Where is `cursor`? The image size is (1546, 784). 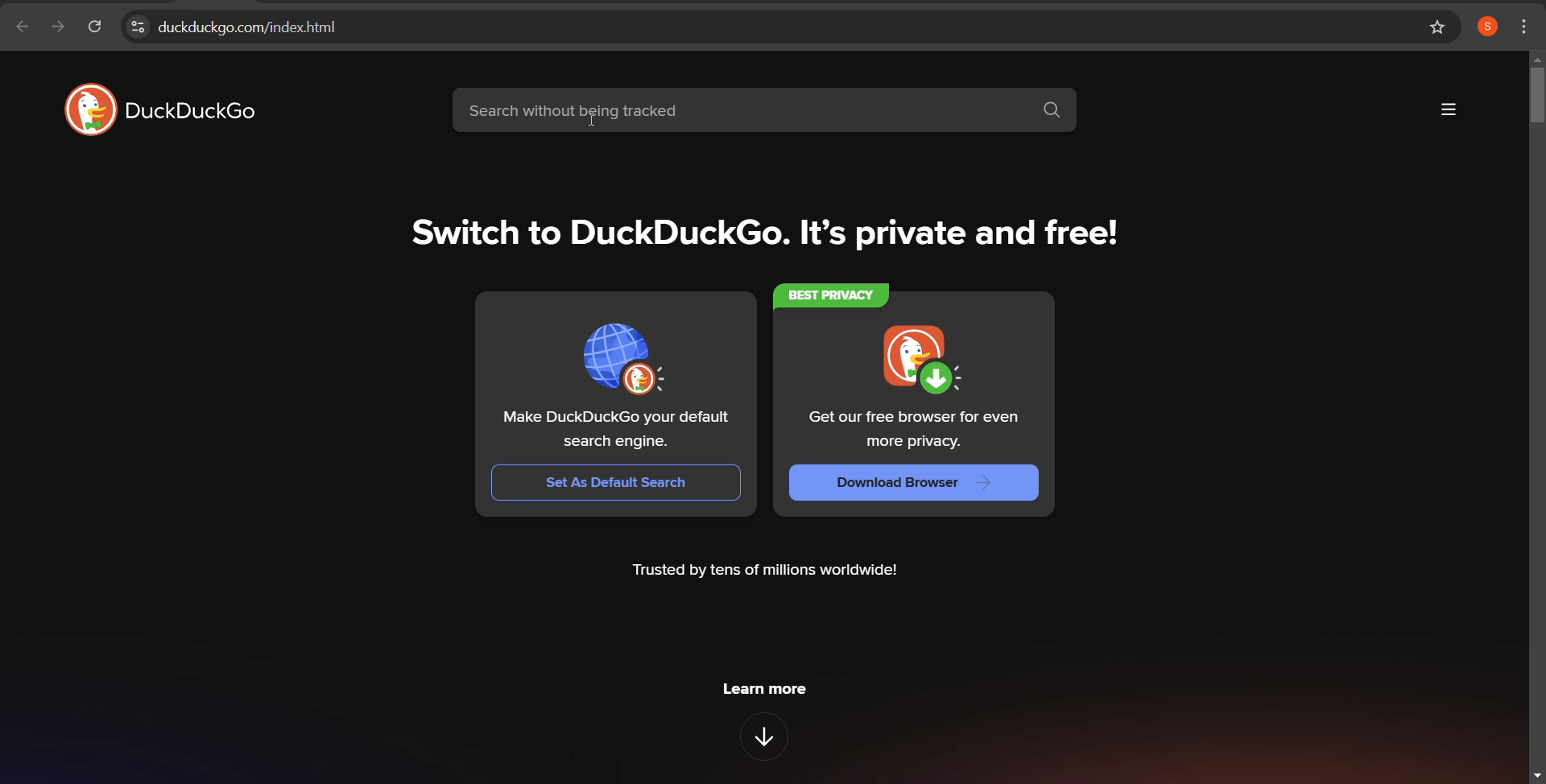 cursor is located at coordinates (592, 119).